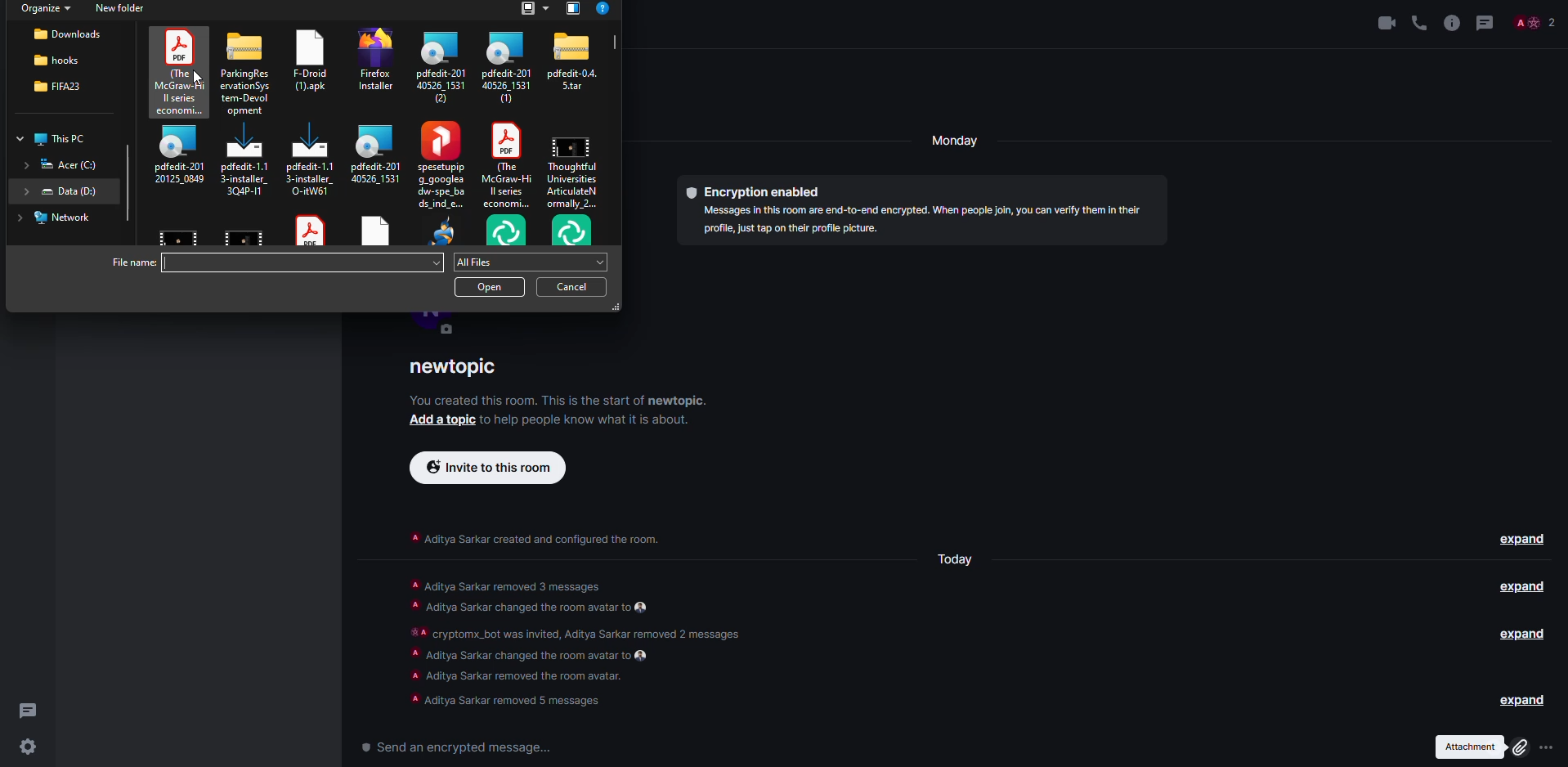 This screenshot has width=1568, height=767. Describe the element at coordinates (535, 10) in the screenshot. I see `list` at that location.